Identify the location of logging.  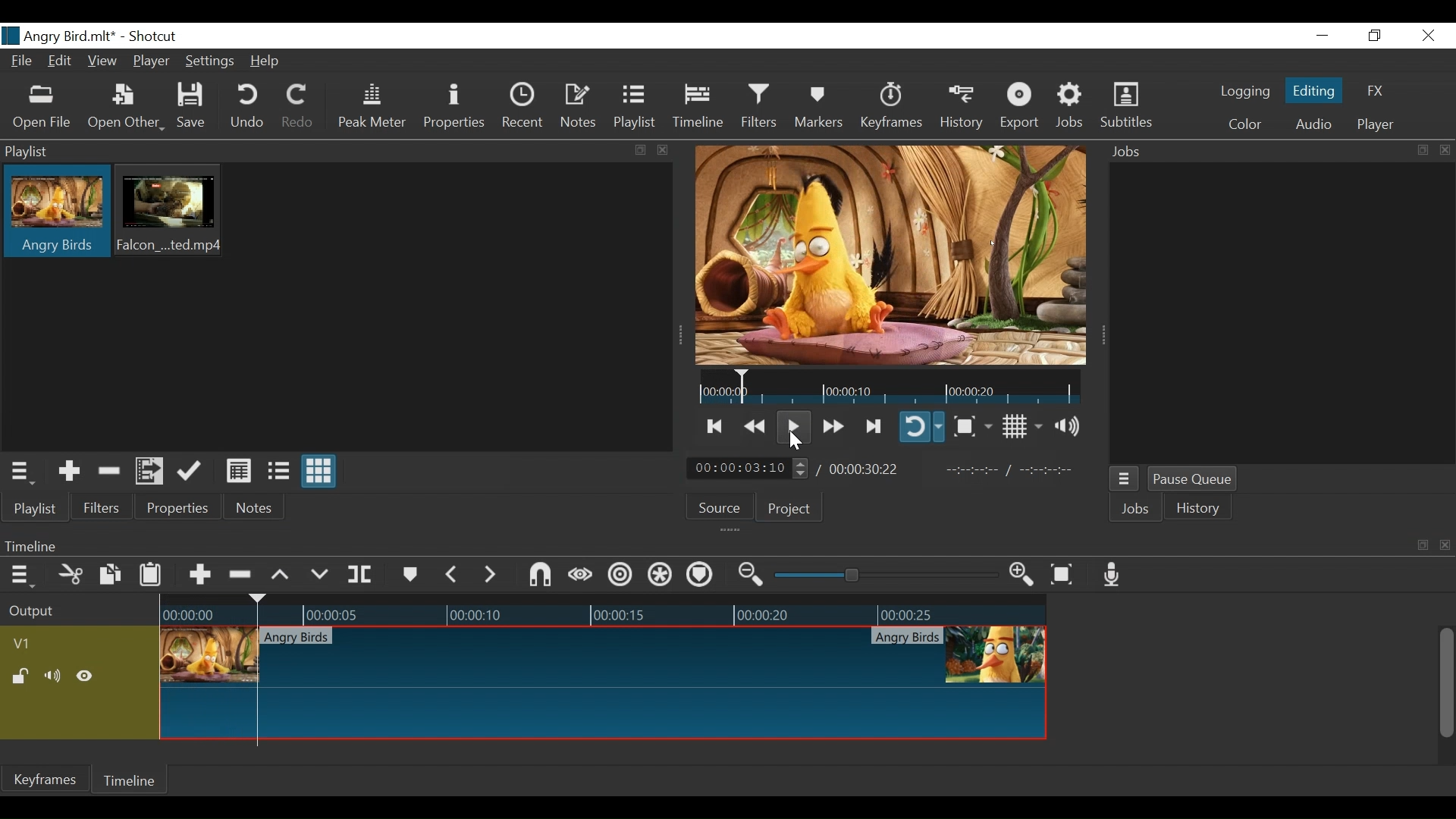
(1245, 93).